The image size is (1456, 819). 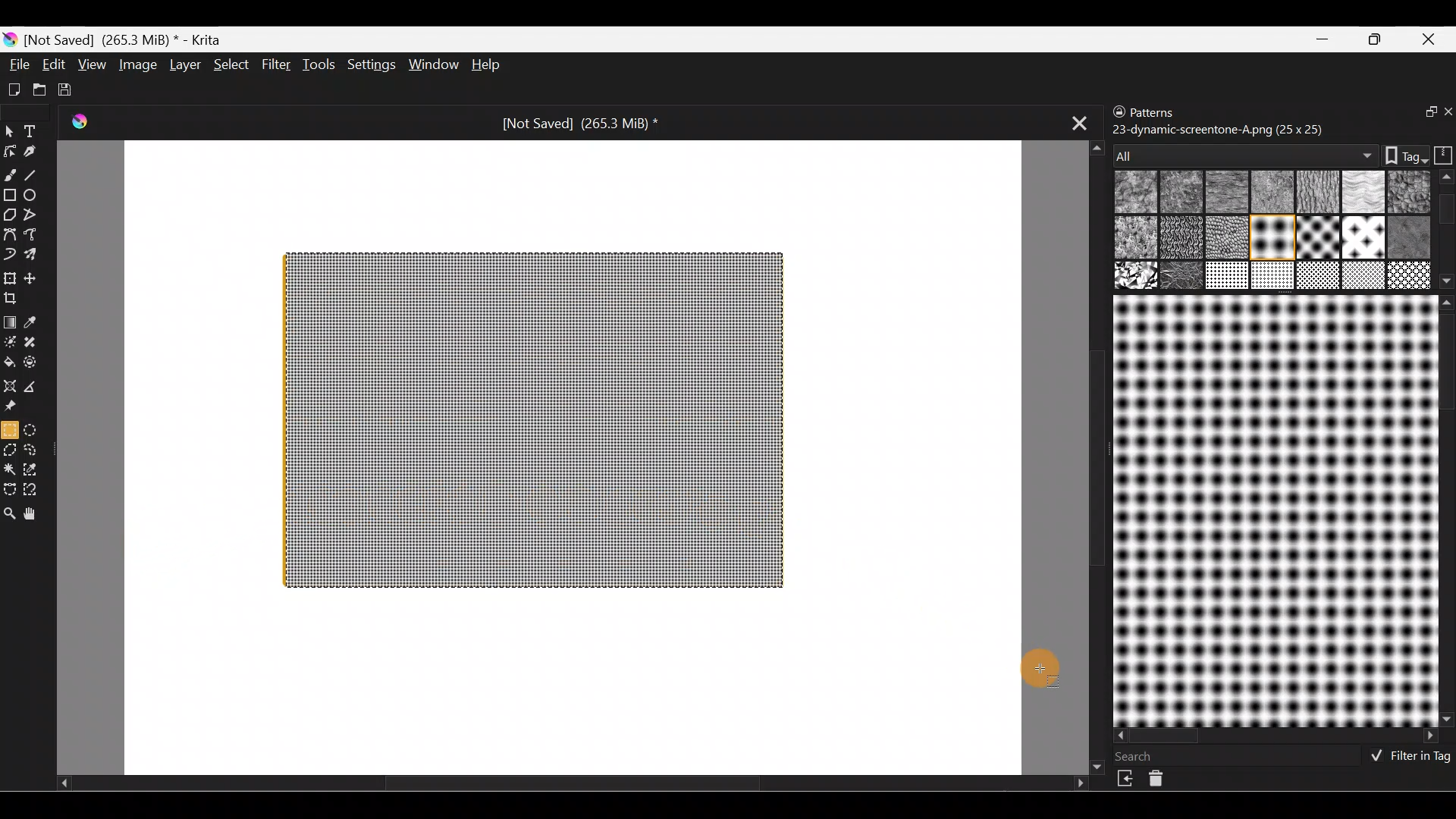 What do you see at coordinates (38, 174) in the screenshot?
I see `Line tool` at bounding box center [38, 174].